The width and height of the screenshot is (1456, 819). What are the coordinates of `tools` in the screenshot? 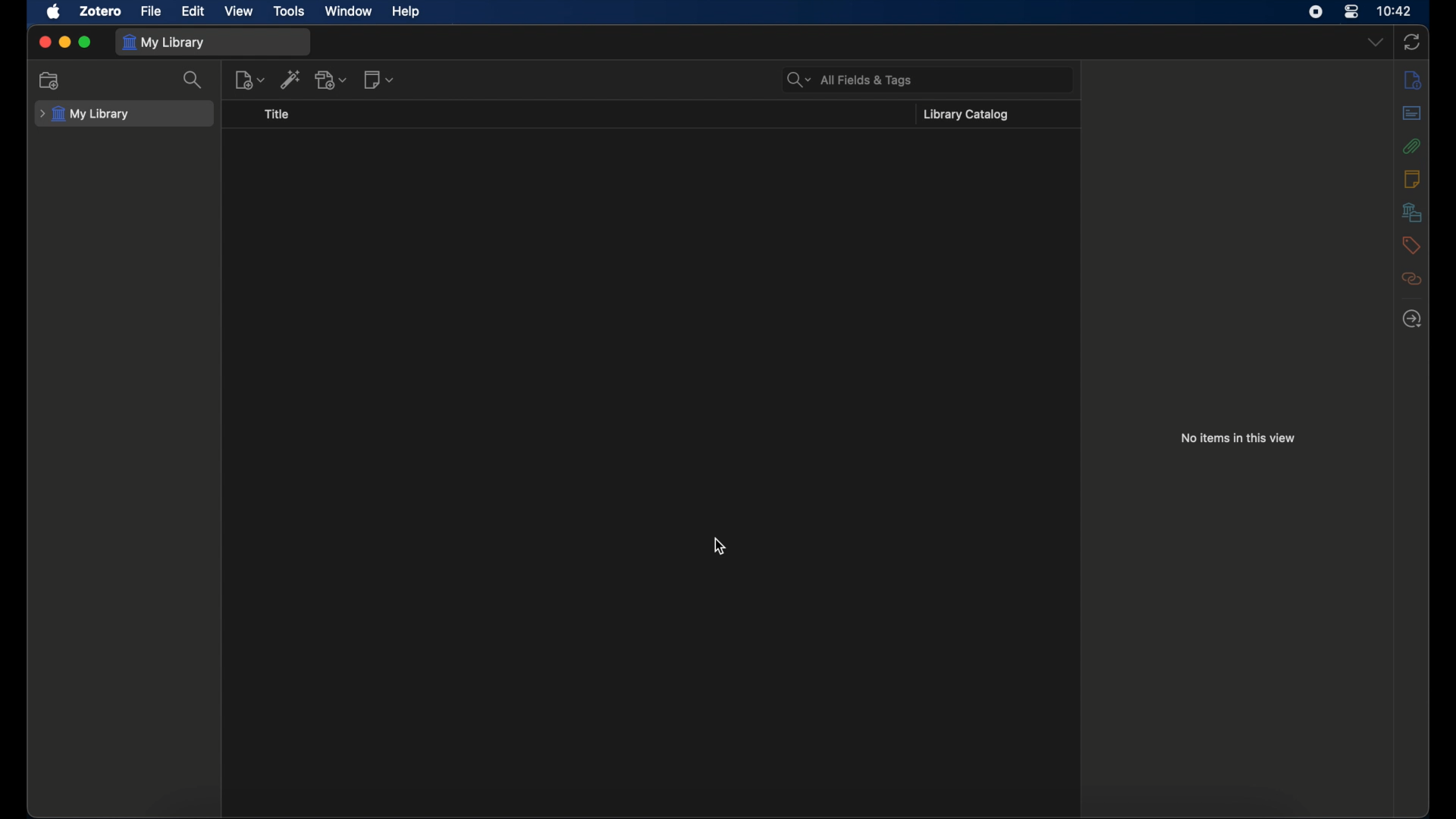 It's located at (290, 11).